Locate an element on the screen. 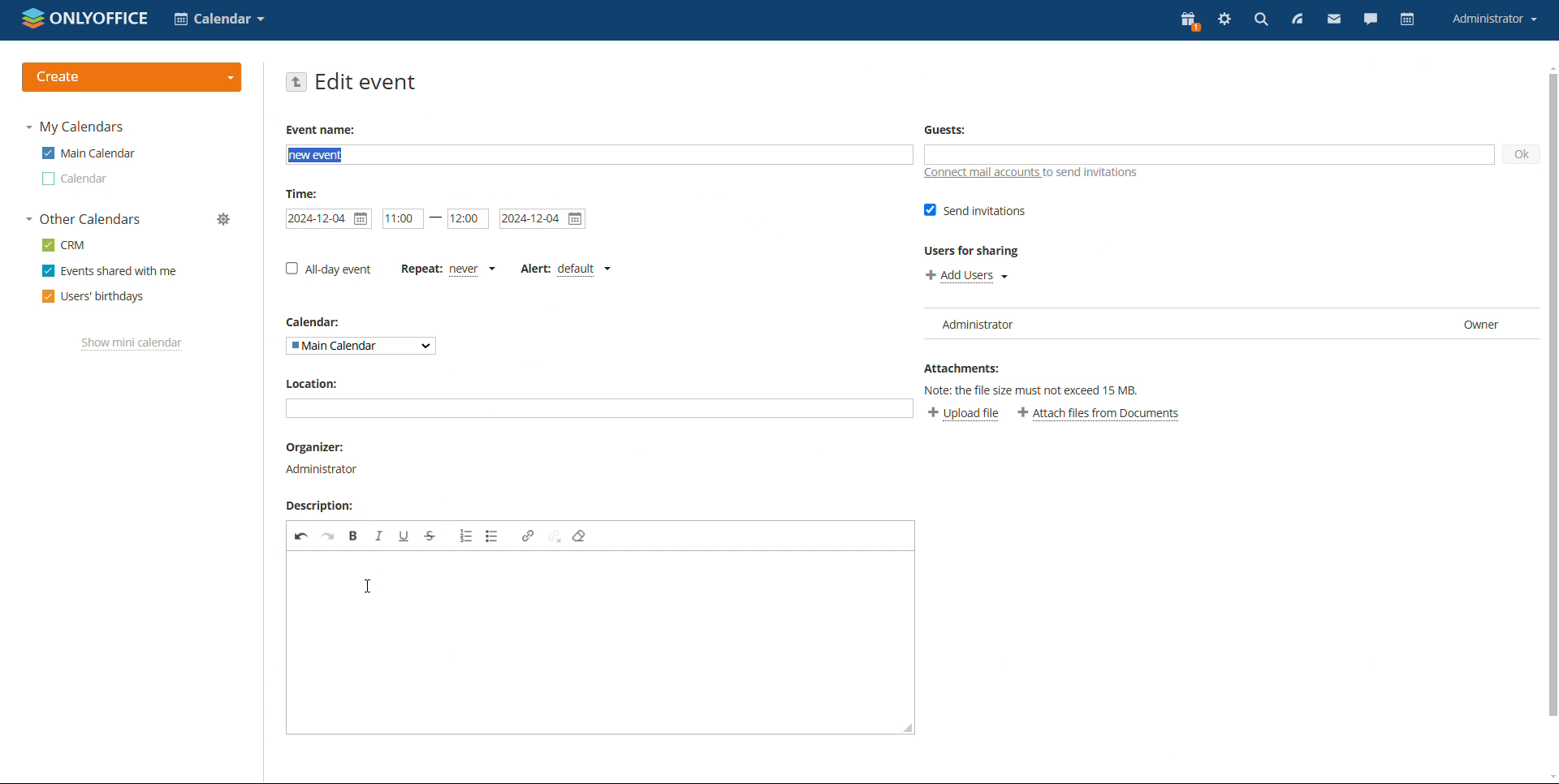 The height and width of the screenshot is (784, 1559). account is located at coordinates (1493, 19).